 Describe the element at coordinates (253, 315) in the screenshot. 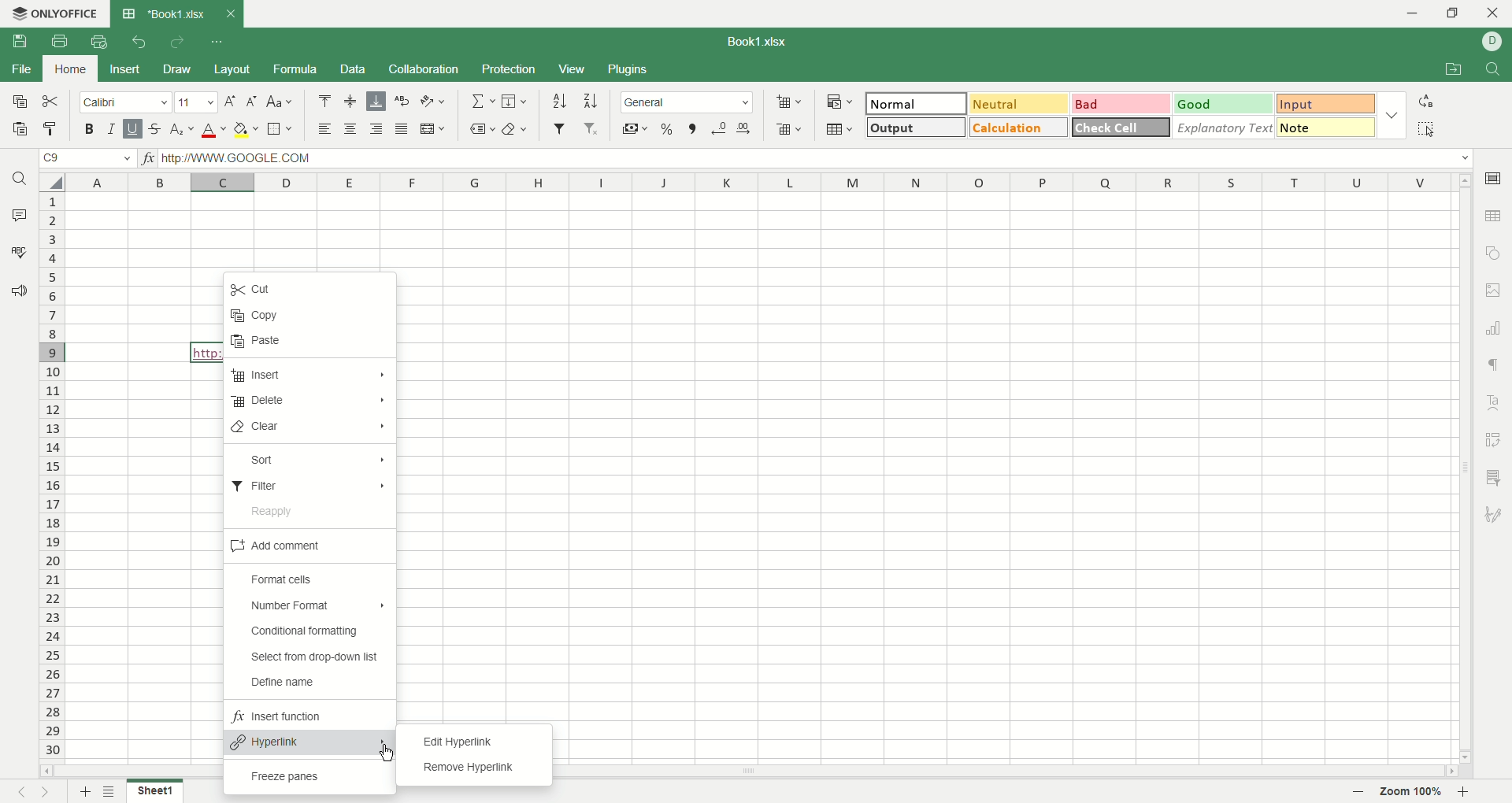

I see `copy` at that location.